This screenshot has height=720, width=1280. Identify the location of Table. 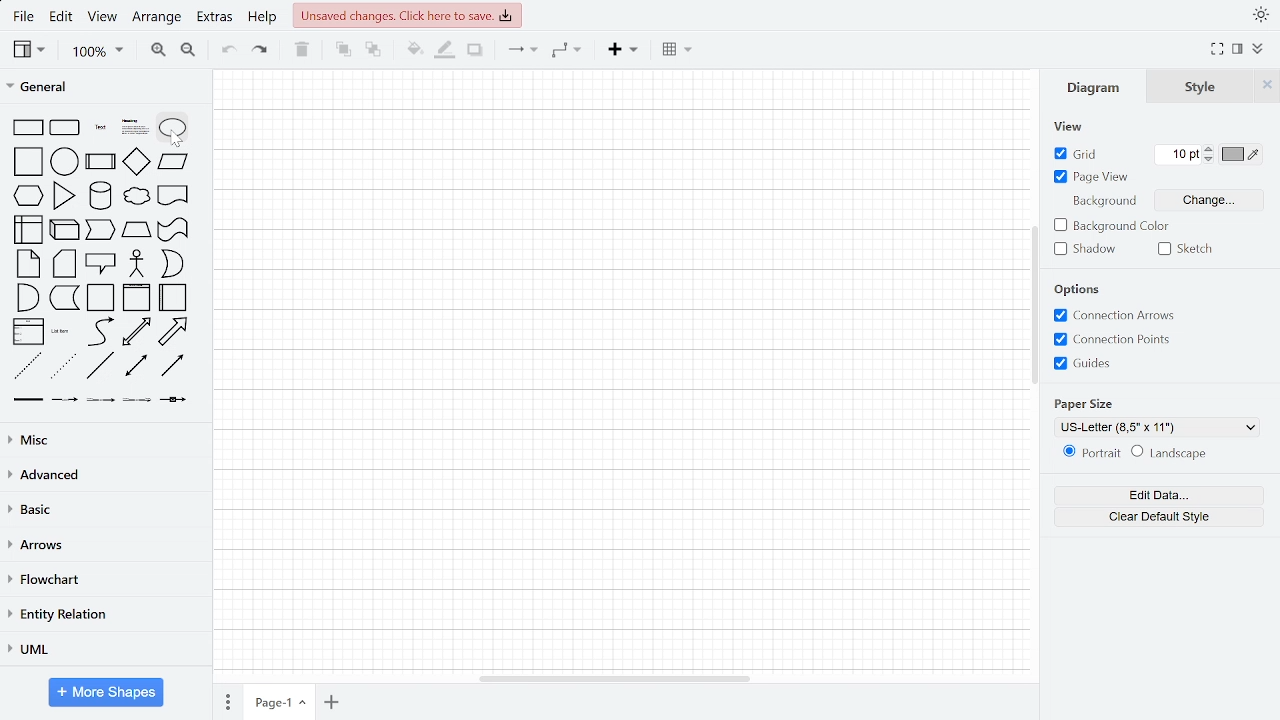
(674, 50).